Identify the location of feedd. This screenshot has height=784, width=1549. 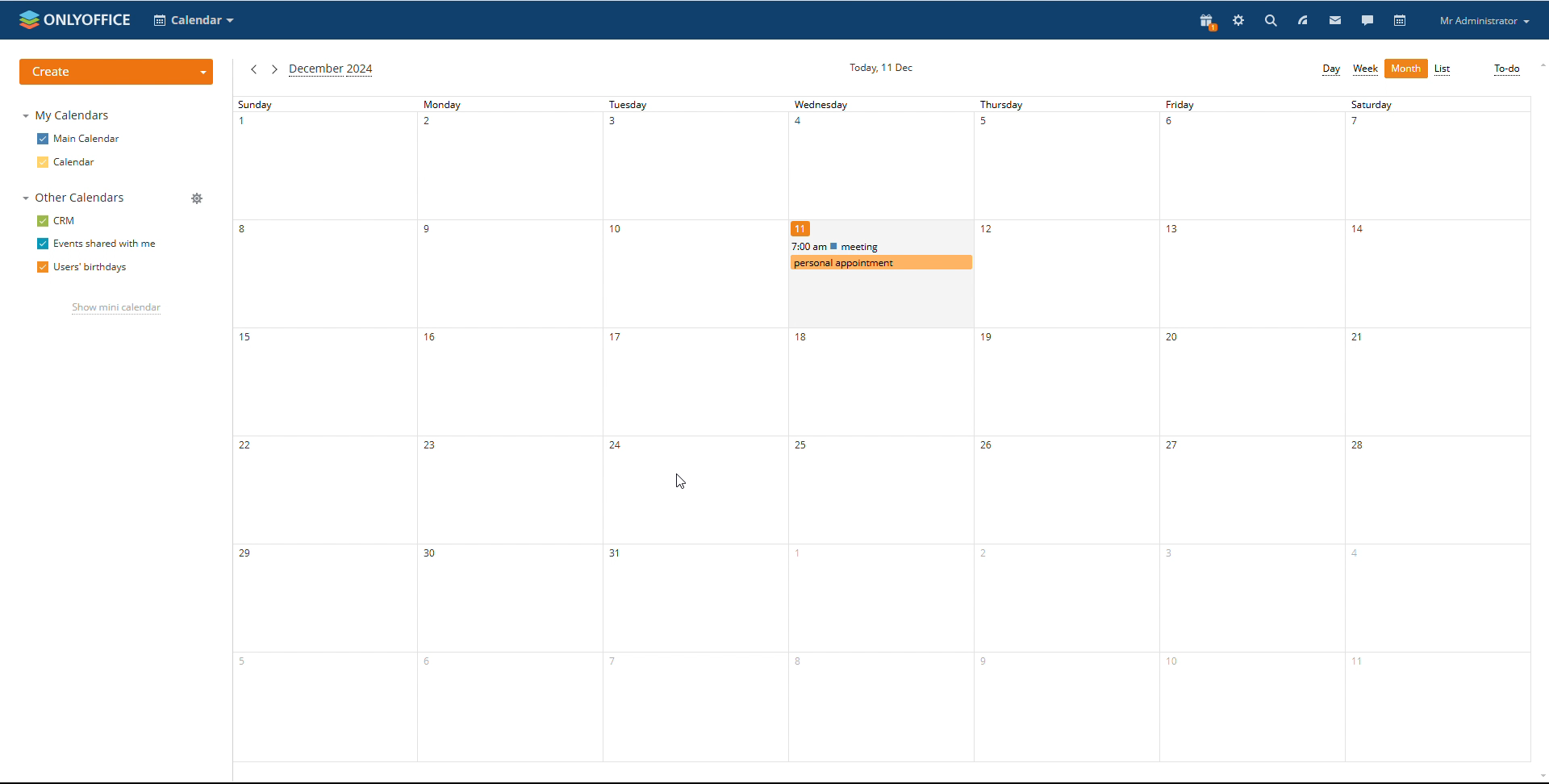
(1303, 20).